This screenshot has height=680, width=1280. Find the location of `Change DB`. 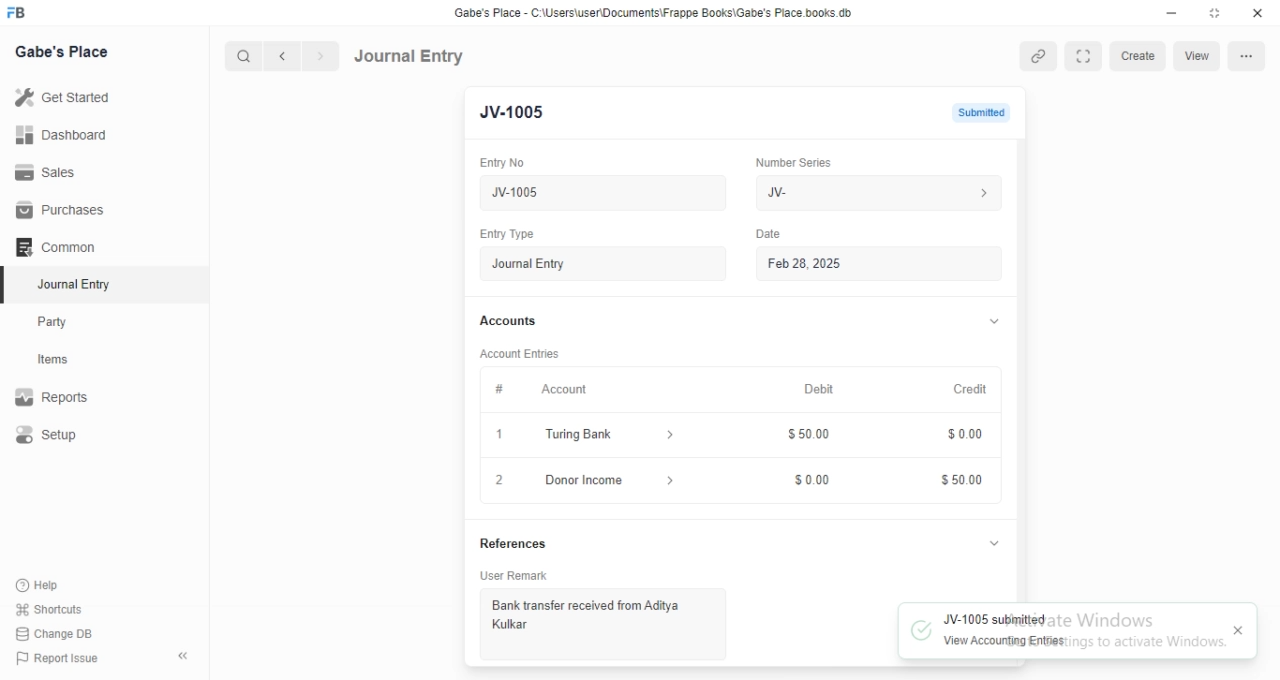

Change DB is located at coordinates (60, 633).